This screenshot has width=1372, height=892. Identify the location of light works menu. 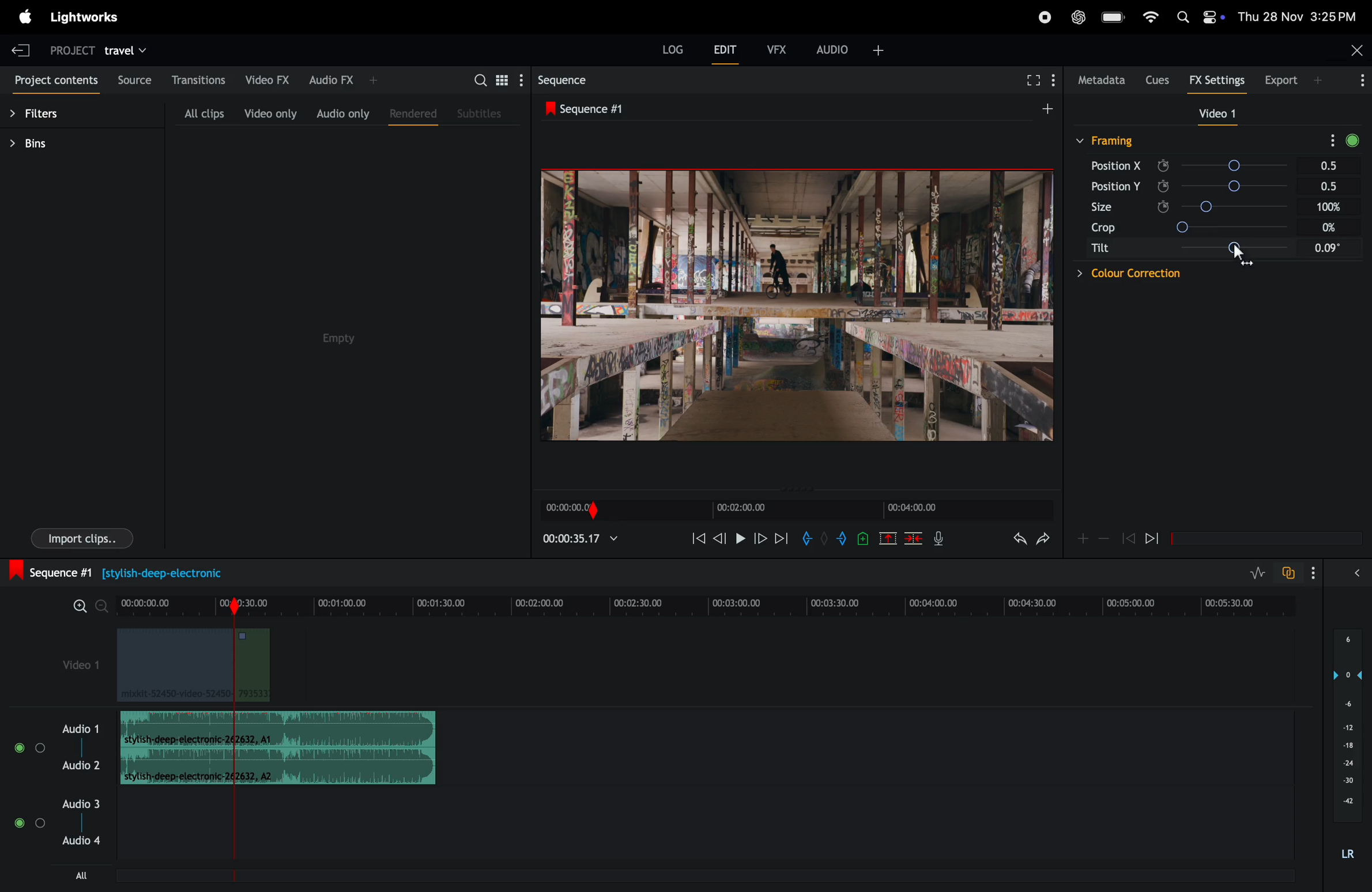
(92, 18).